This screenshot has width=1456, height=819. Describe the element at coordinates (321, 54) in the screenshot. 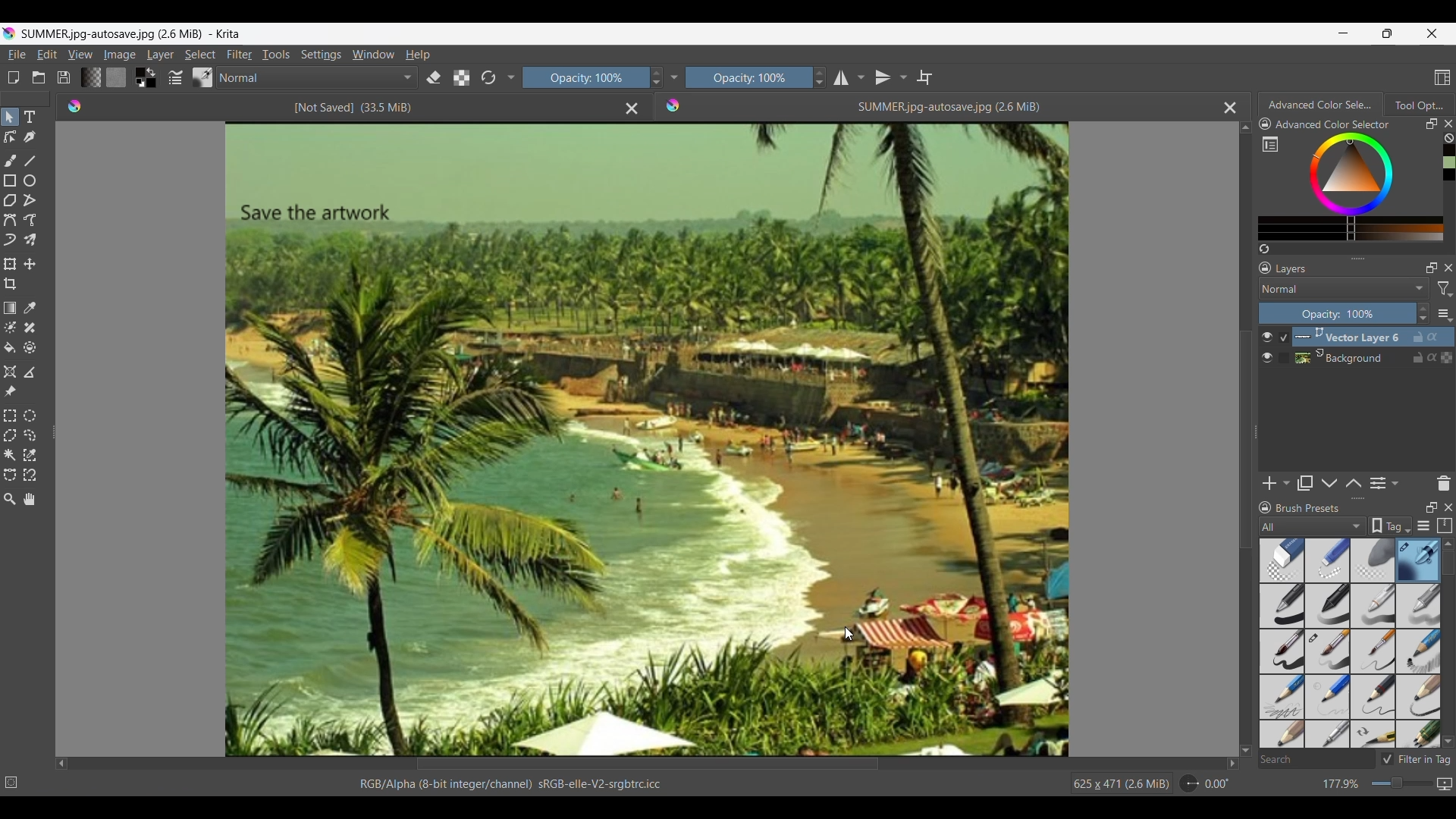

I see `Settings` at that location.